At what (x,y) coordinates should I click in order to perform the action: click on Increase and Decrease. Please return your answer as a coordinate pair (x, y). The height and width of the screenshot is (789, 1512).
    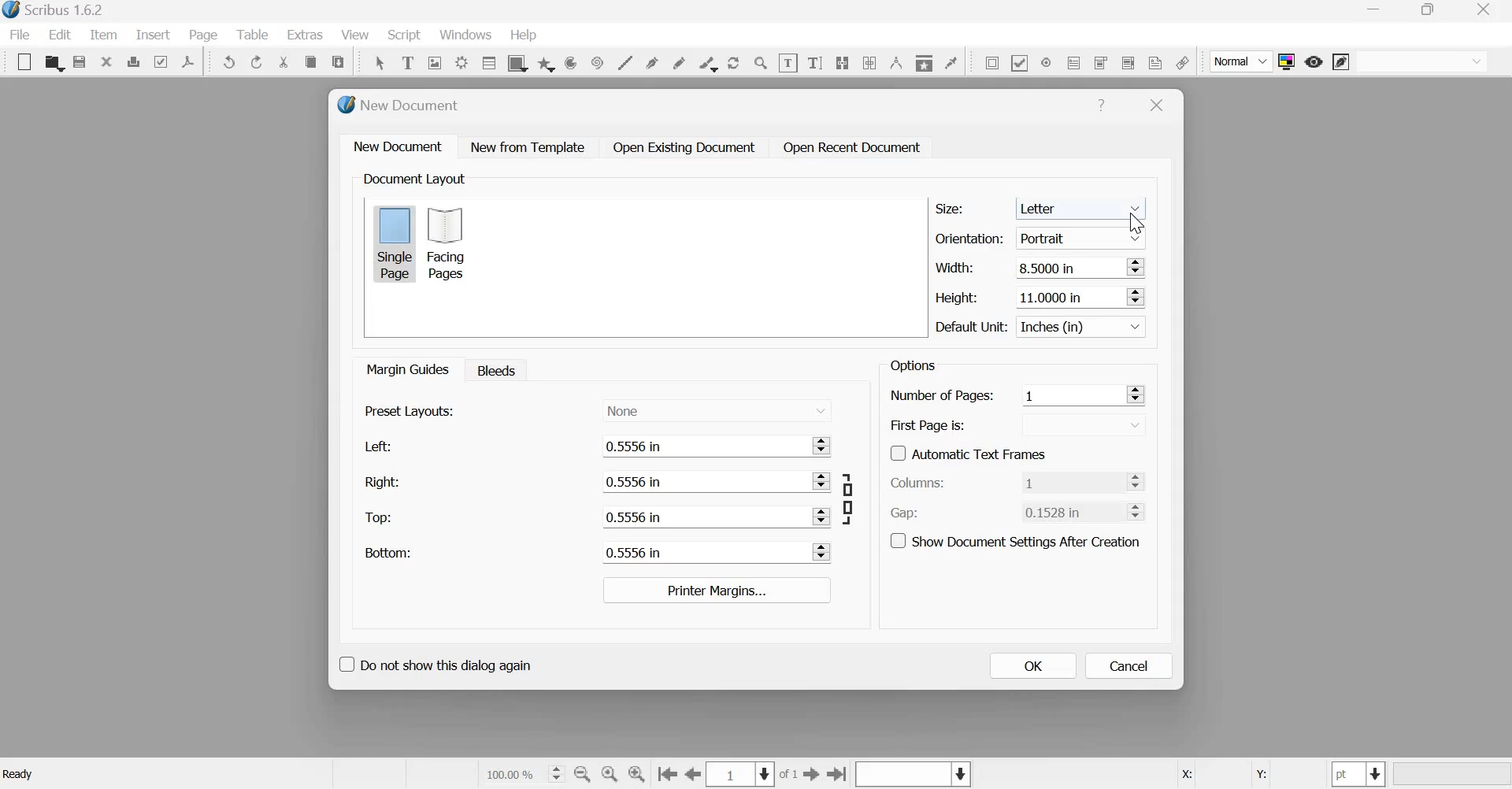
    Looking at the image, I should click on (823, 552).